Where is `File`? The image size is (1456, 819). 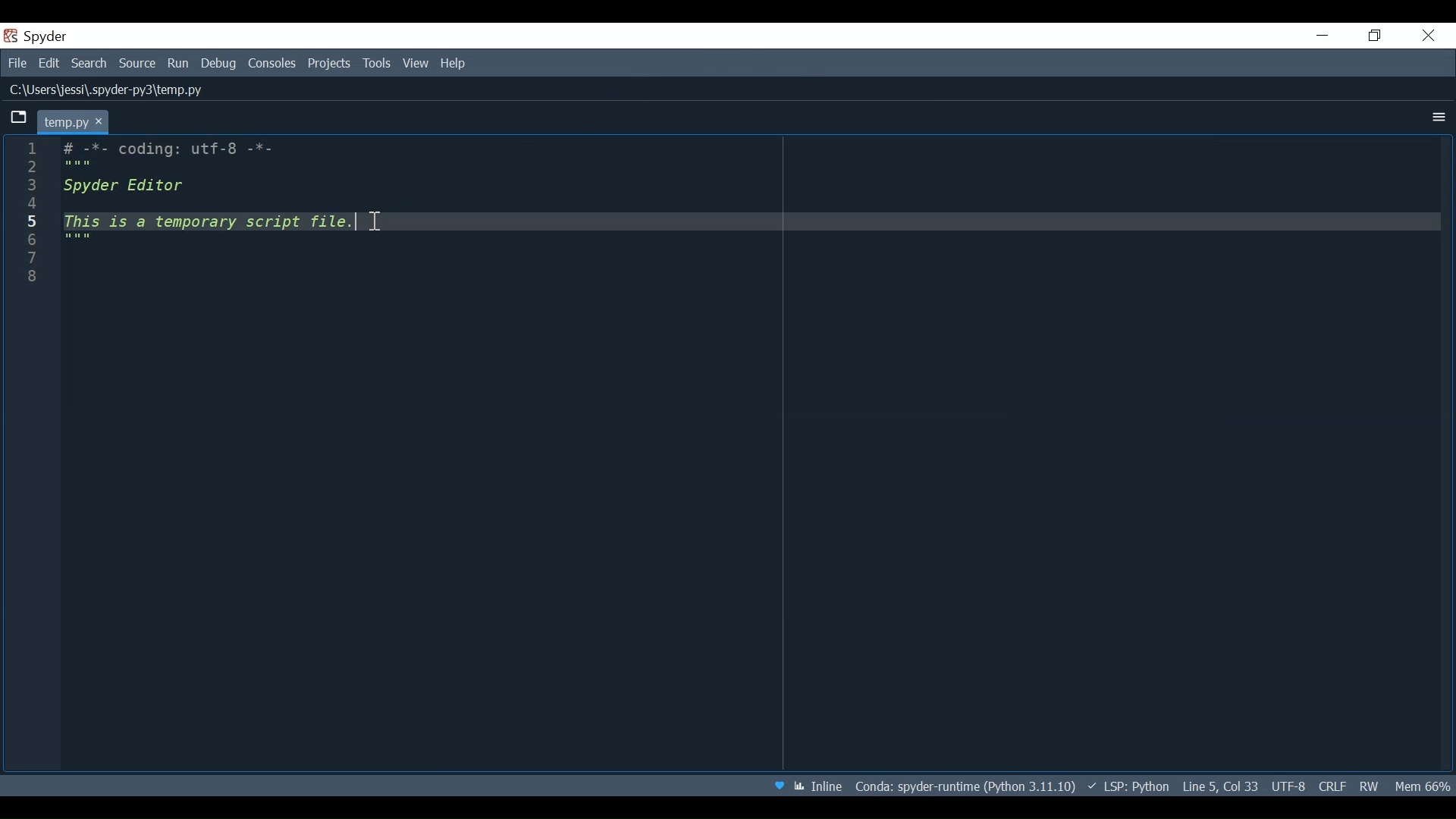 File is located at coordinates (17, 64).